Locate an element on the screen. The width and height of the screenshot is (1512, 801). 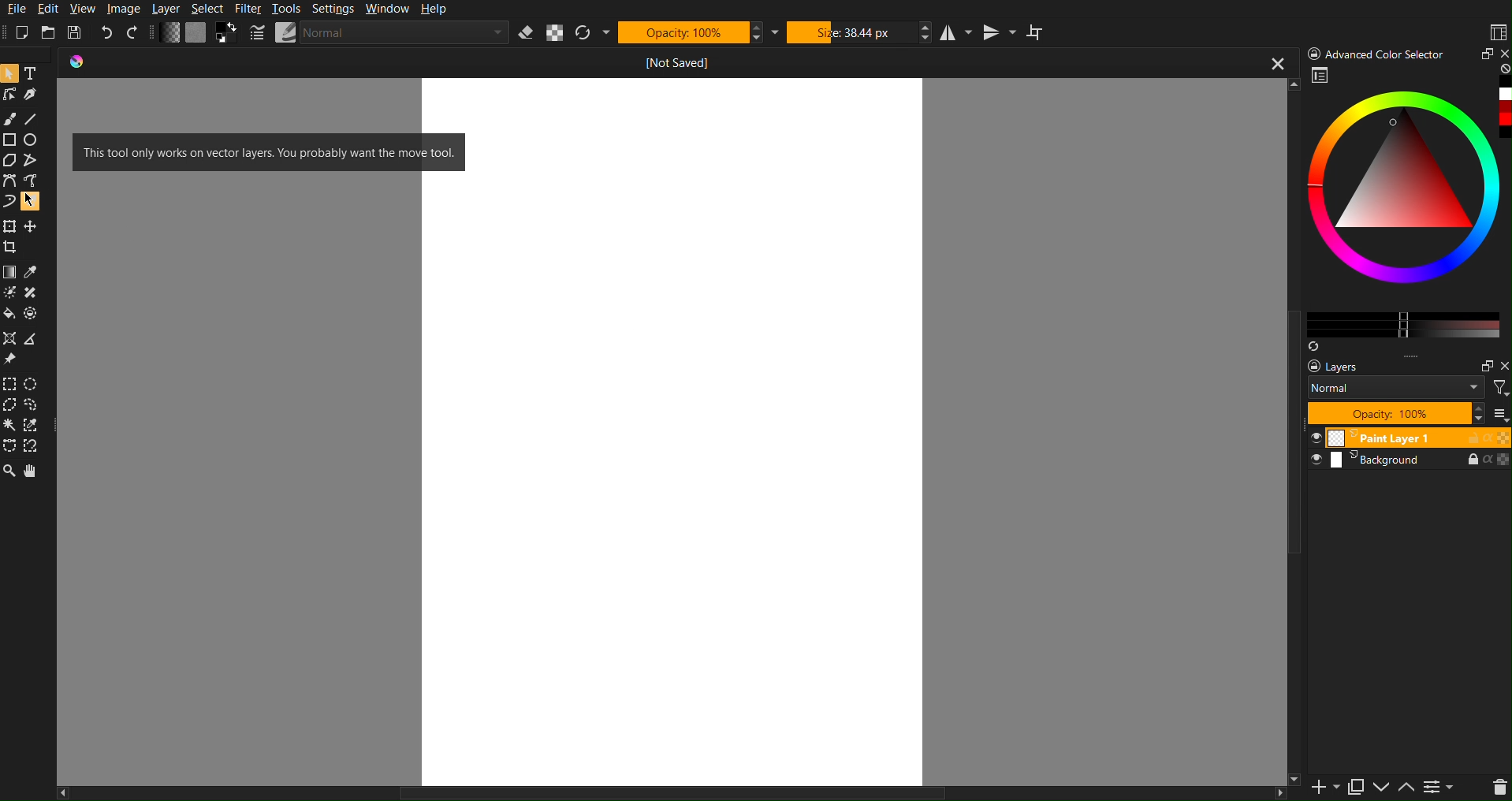
Change Opacity is located at coordinates (170, 33).